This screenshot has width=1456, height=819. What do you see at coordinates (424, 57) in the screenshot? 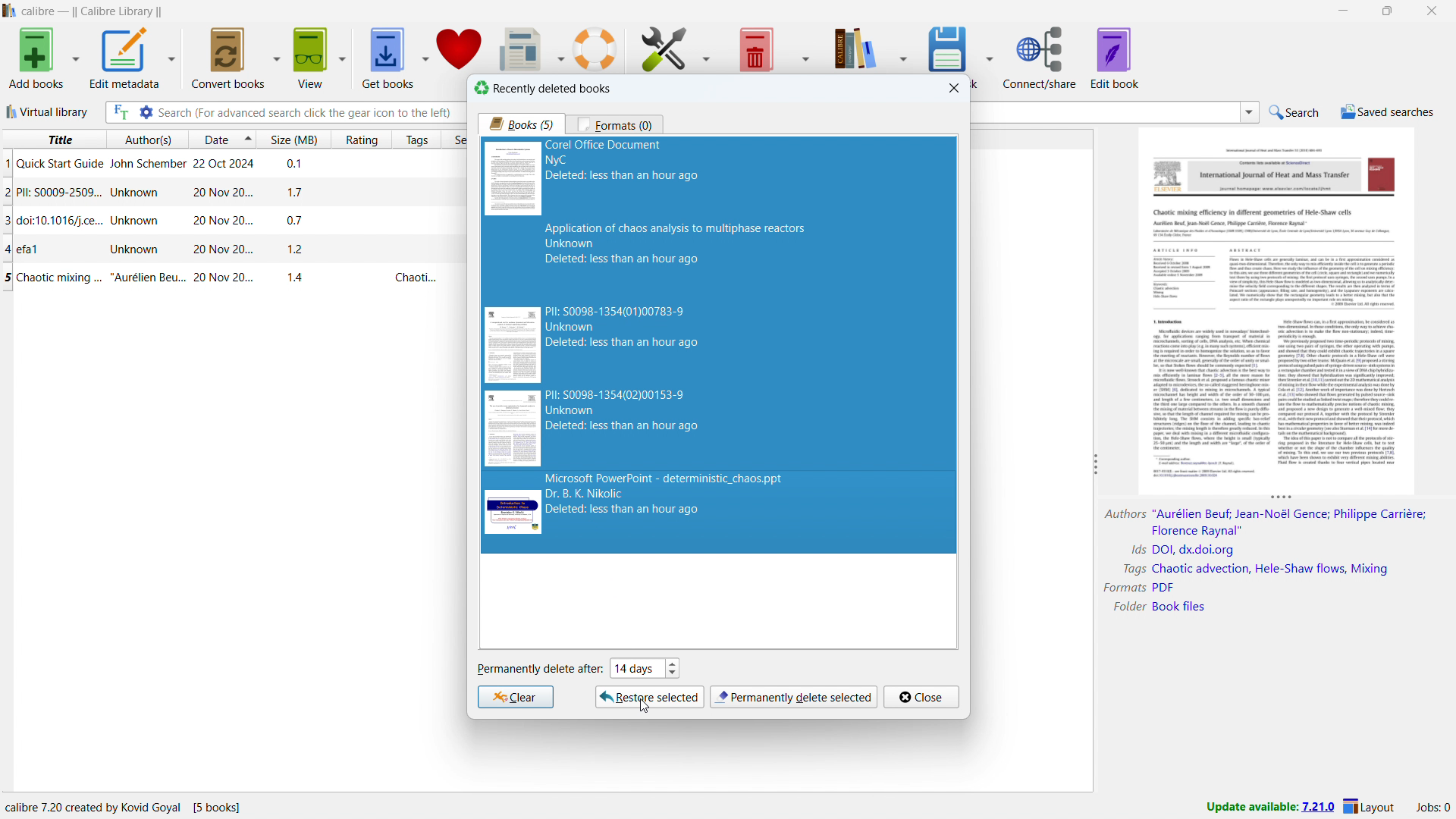
I see `get books options` at bounding box center [424, 57].